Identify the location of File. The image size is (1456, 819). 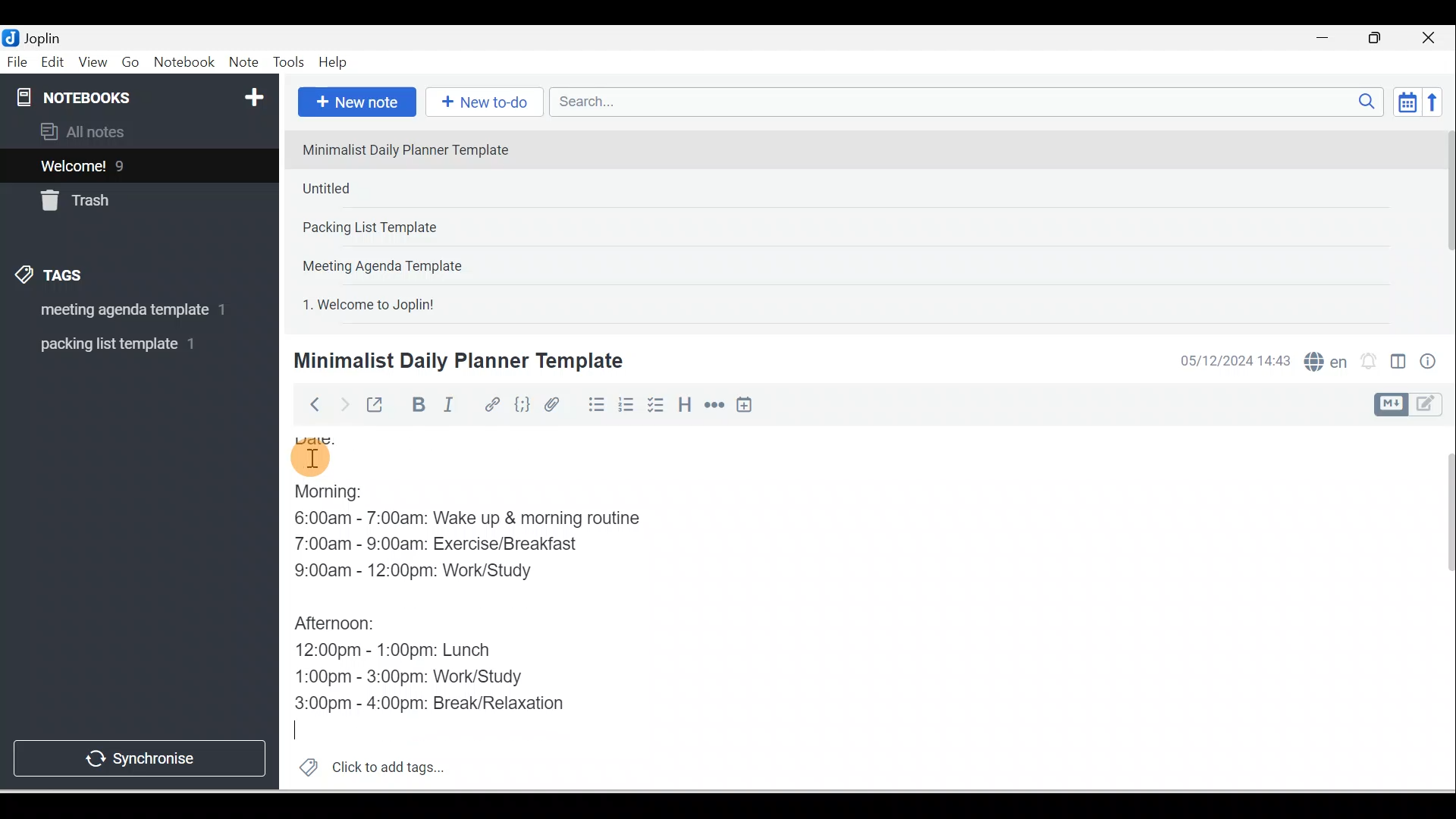
(18, 61).